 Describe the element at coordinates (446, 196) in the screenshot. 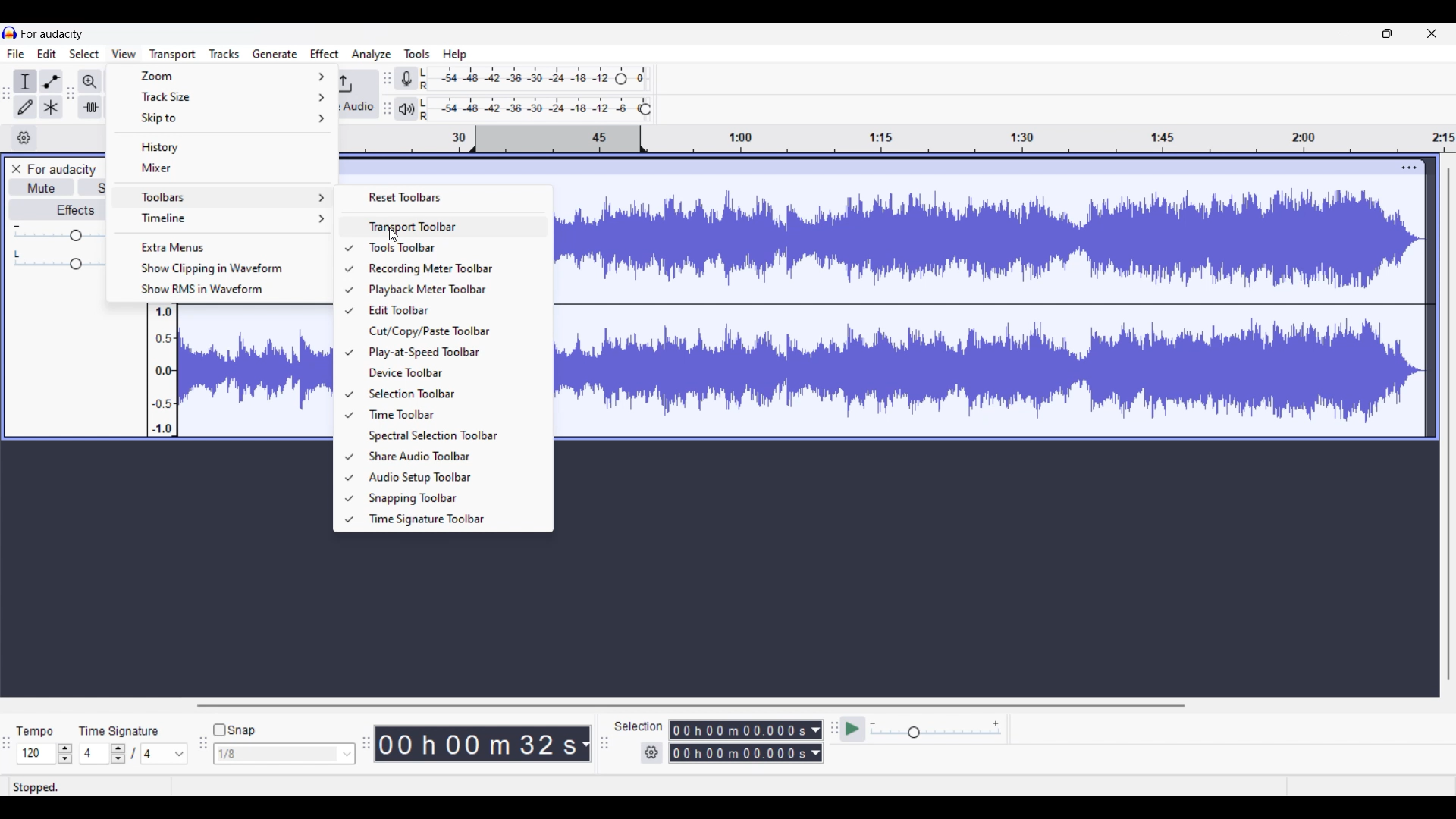

I see `Reset toolbars` at that location.